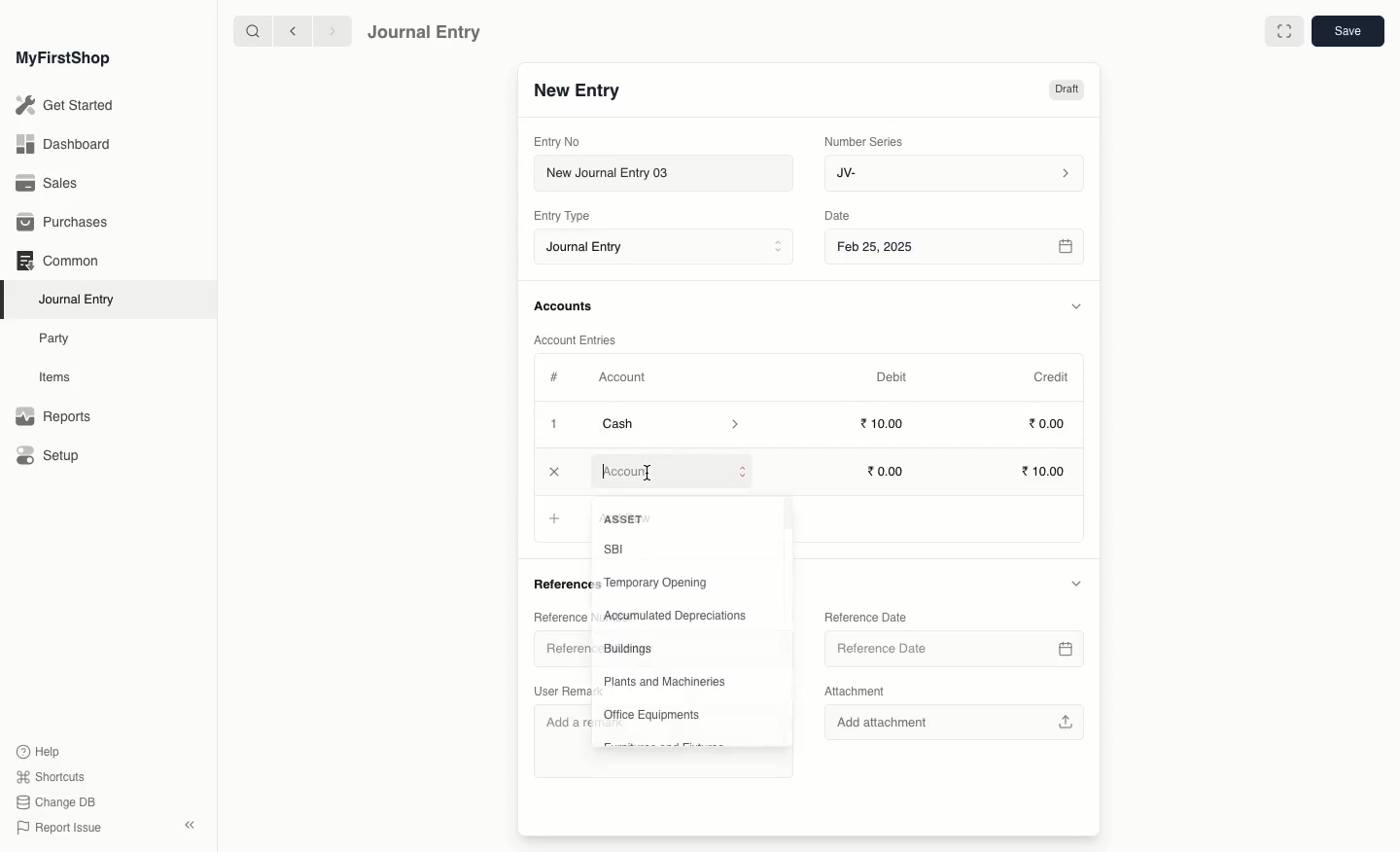 This screenshot has width=1400, height=852. Describe the element at coordinates (892, 376) in the screenshot. I see `Debit` at that location.